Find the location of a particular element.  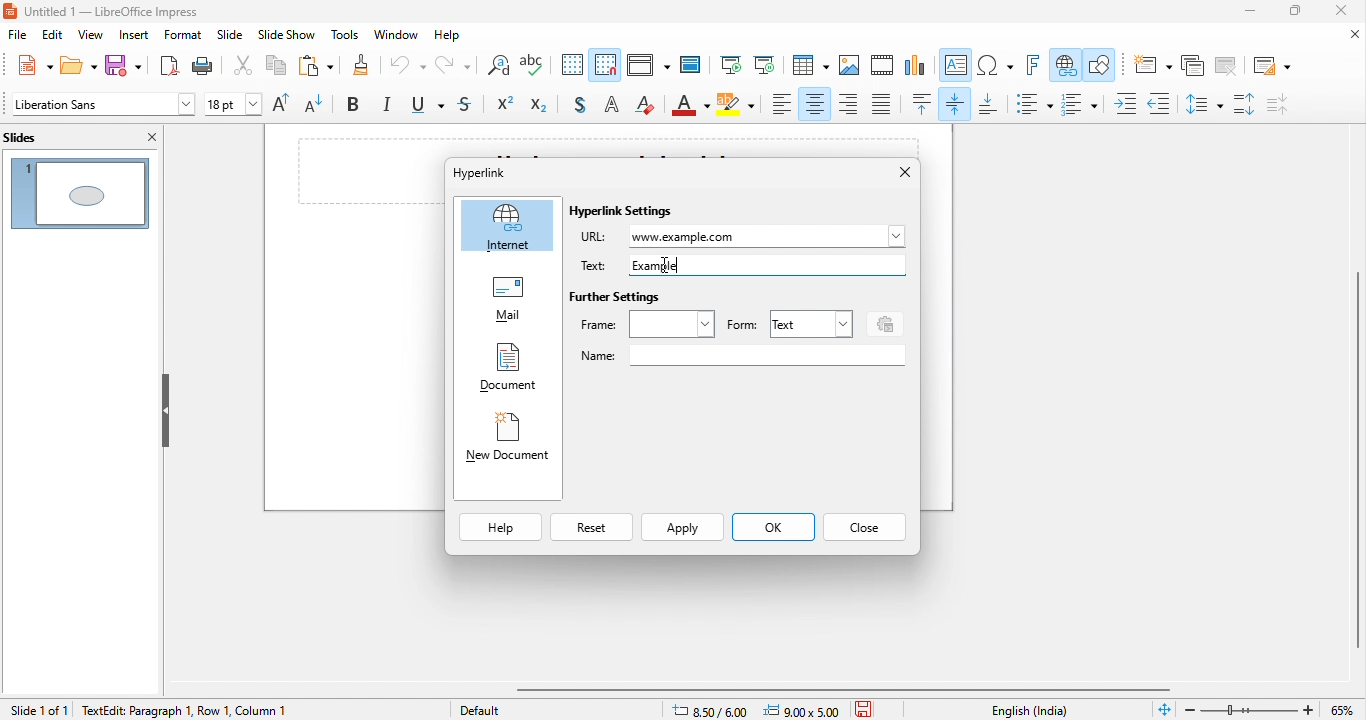

increase paragraph spacing is located at coordinates (1247, 105).